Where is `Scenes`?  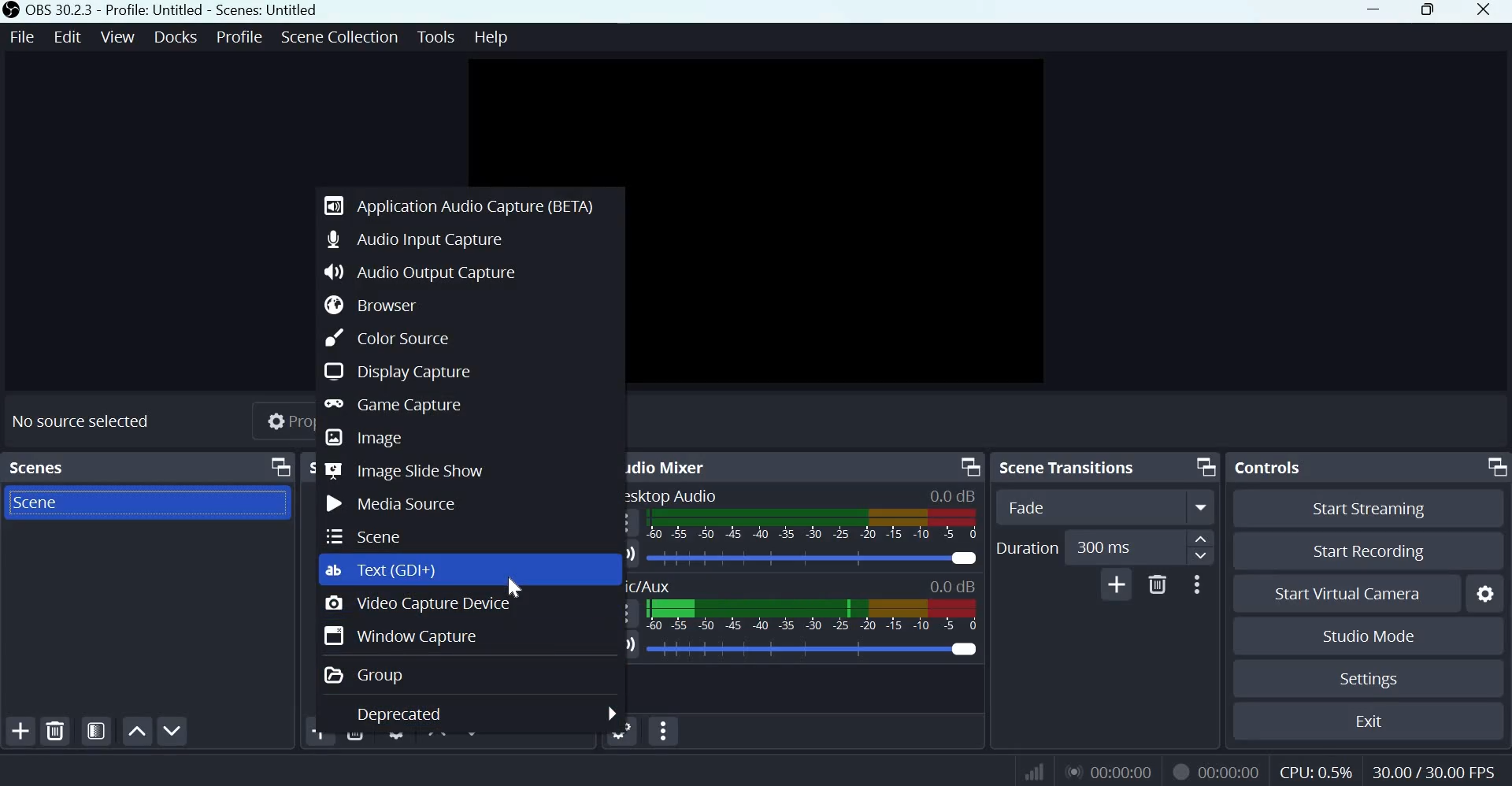 Scenes is located at coordinates (37, 468).